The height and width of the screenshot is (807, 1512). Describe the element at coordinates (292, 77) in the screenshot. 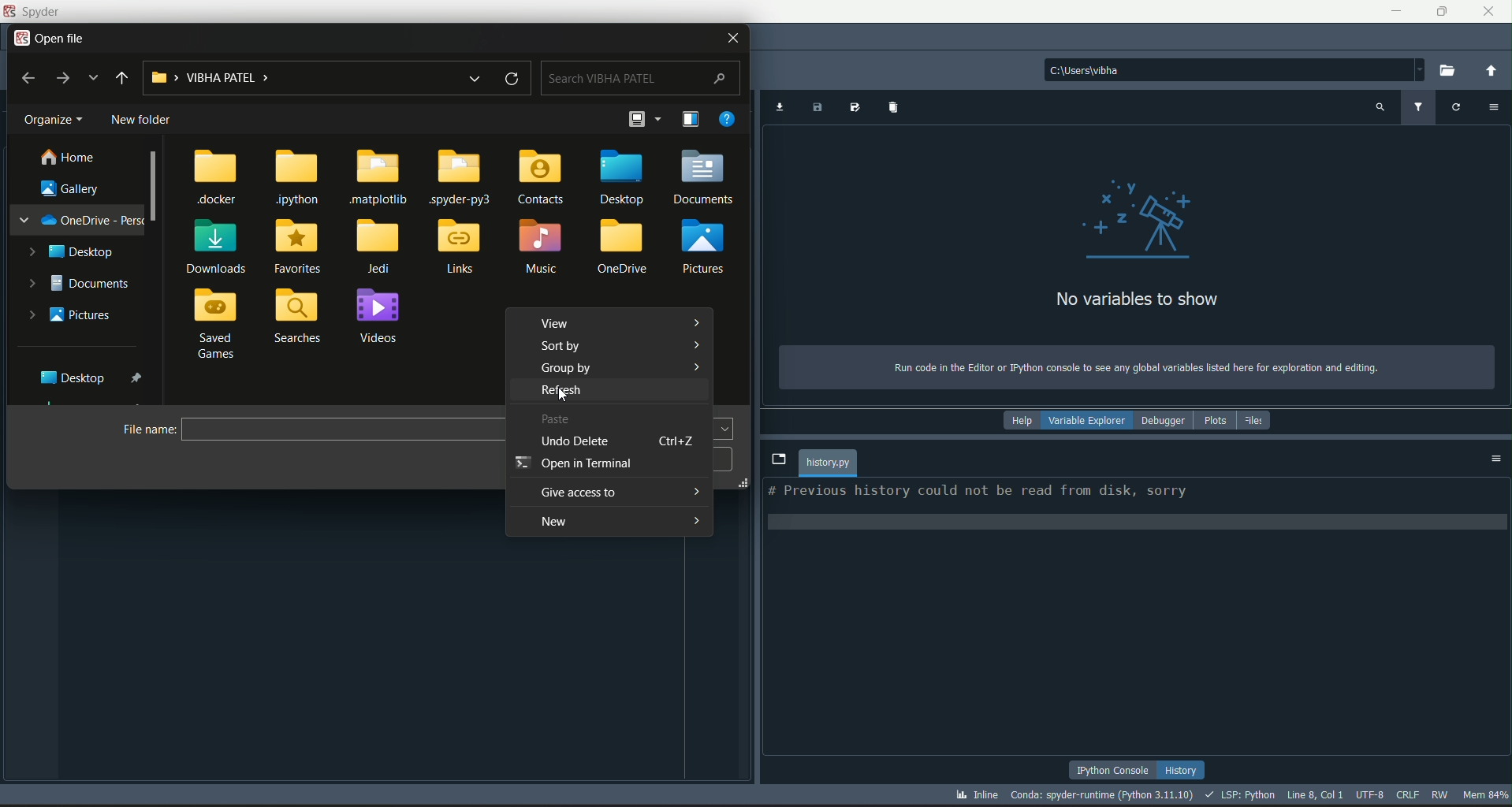

I see `file path` at that location.